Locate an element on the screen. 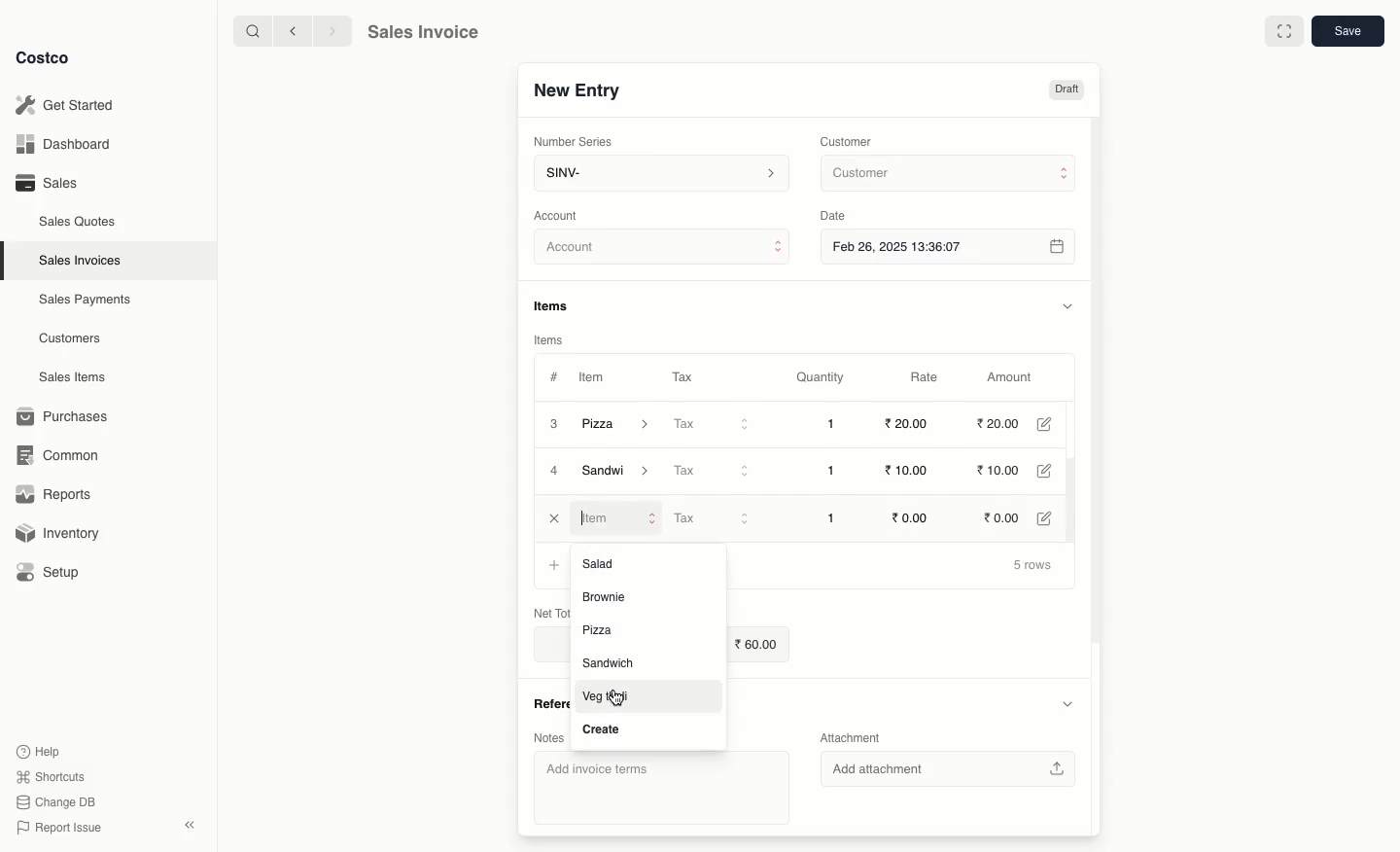  Account is located at coordinates (663, 250).